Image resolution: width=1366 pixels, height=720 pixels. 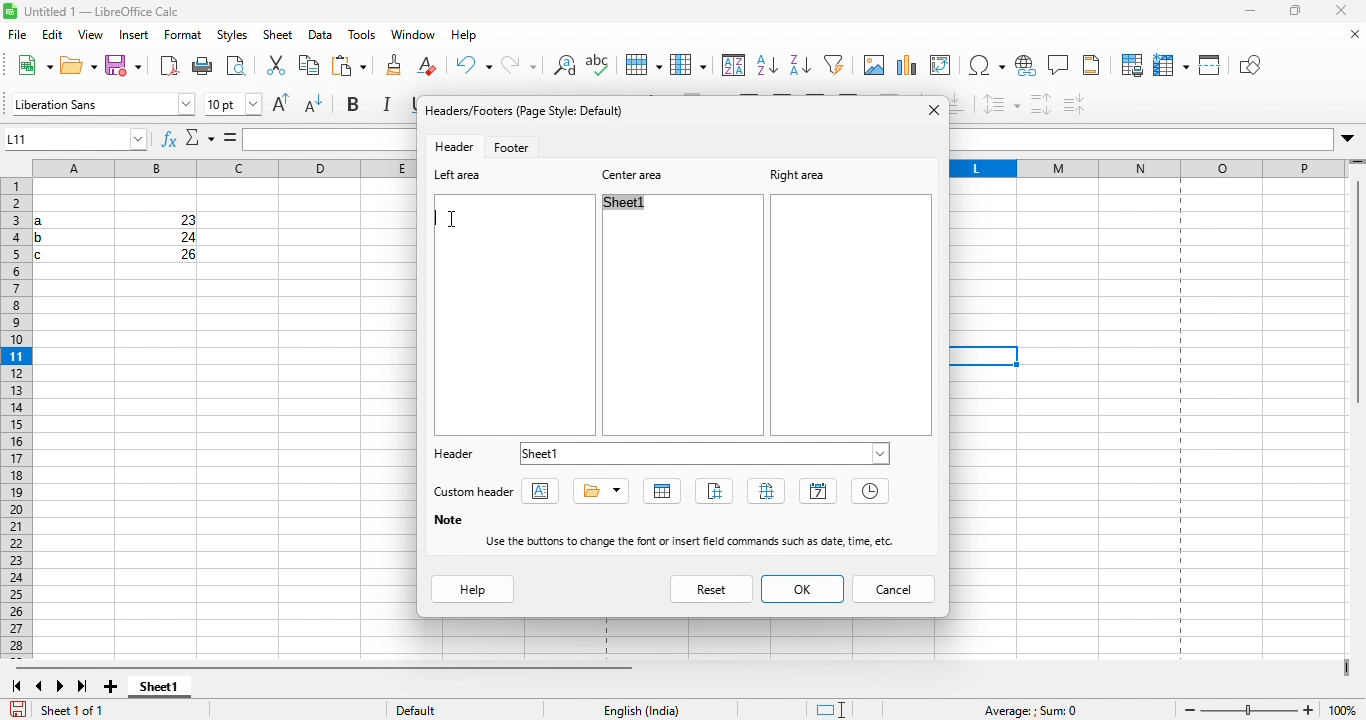 I want to click on sheet name, so click(x=659, y=490).